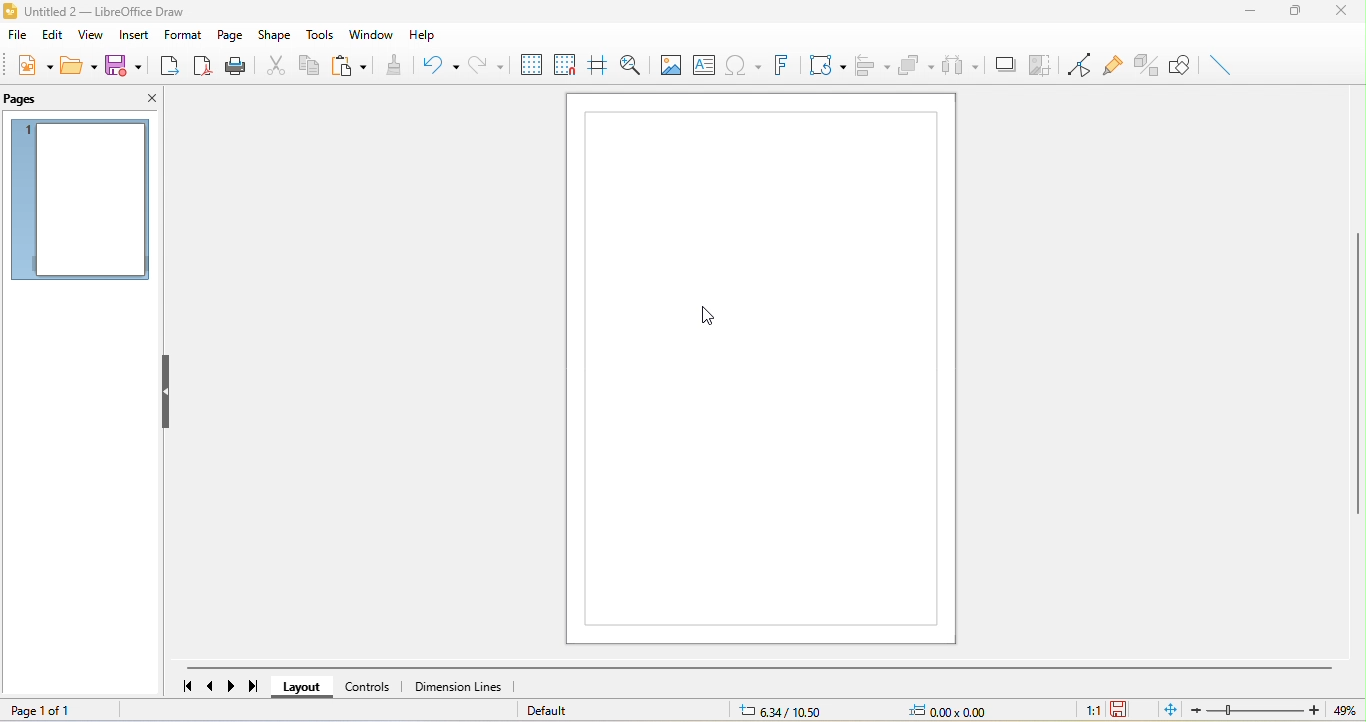 This screenshot has width=1366, height=722. What do you see at coordinates (760, 369) in the screenshot?
I see `Page` at bounding box center [760, 369].